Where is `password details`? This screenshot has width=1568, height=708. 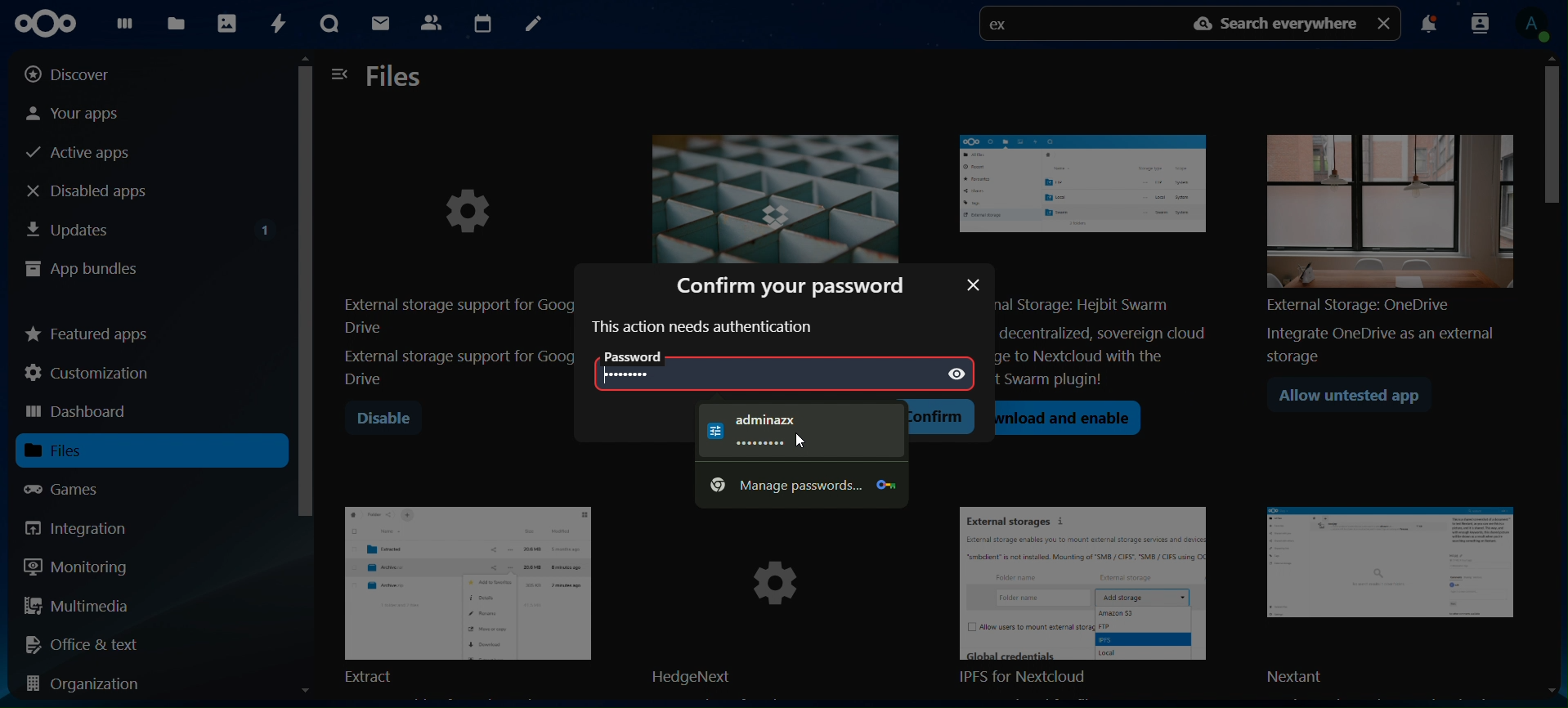 password details is located at coordinates (779, 432).